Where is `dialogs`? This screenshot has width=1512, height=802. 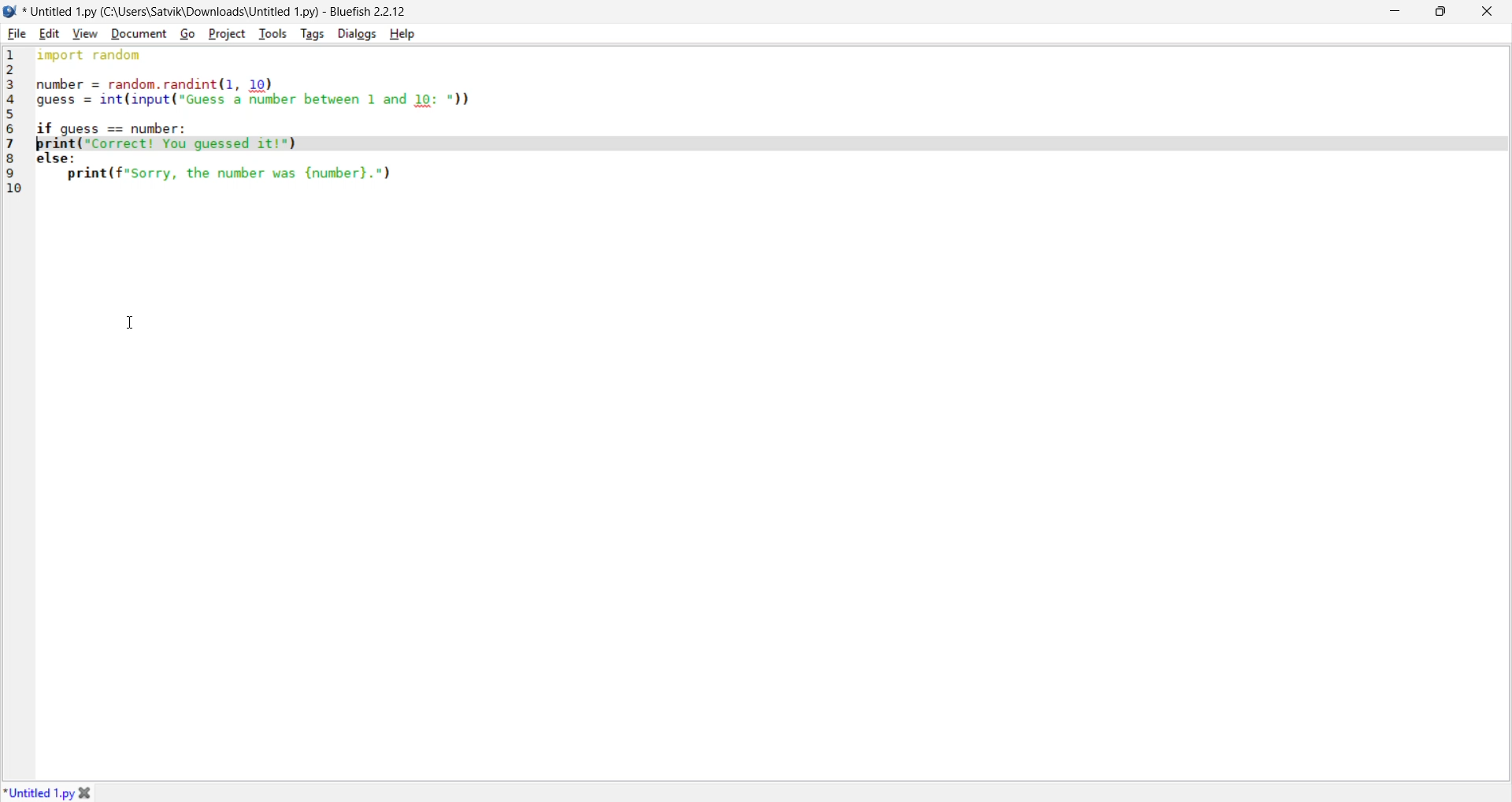
dialogs is located at coordinates (356, 34).